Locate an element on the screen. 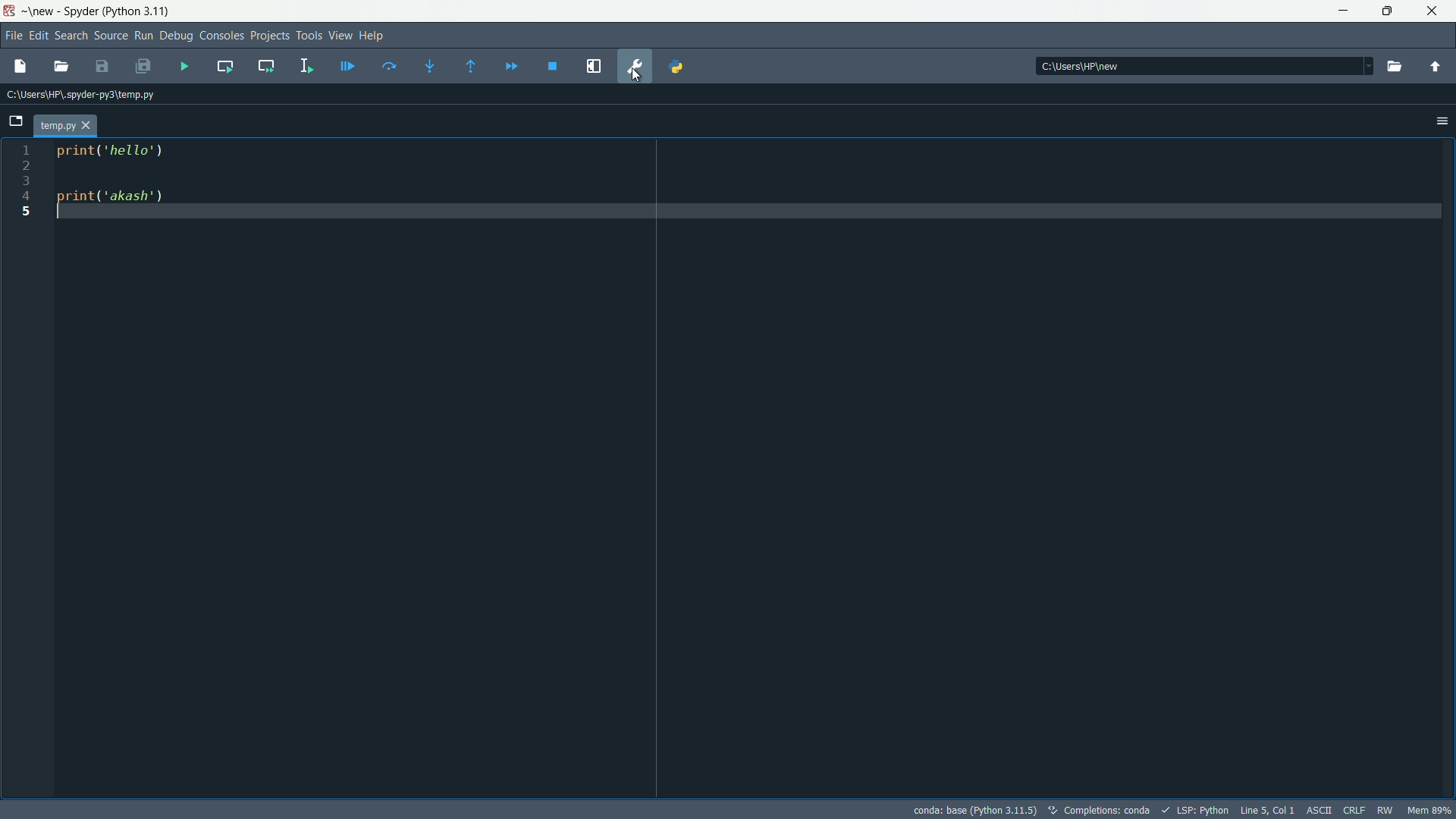  directory is located at coordinates (1084, 67).